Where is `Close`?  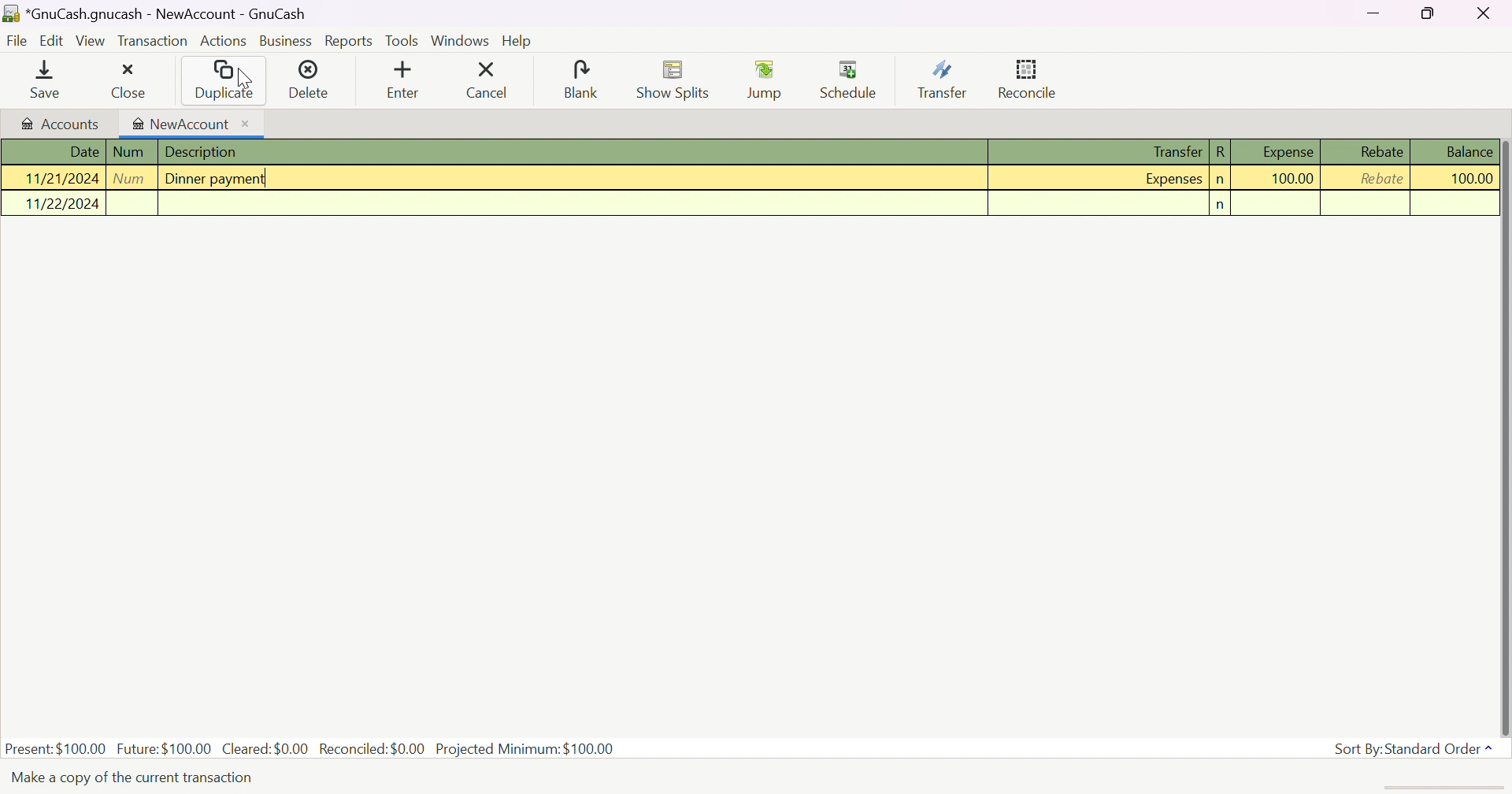 Close is located at coordinates (1485, 13).